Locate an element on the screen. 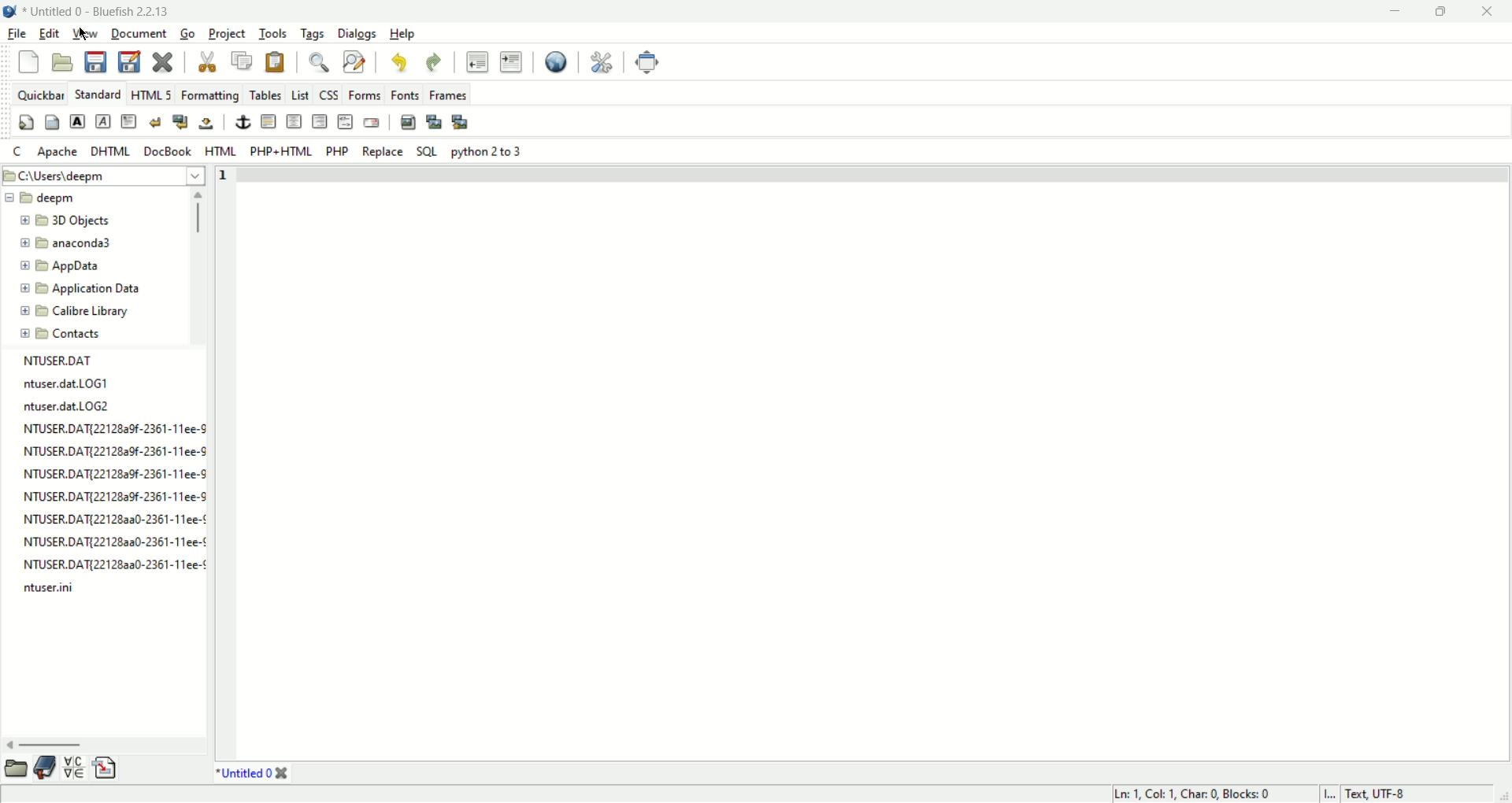 The height and width of the screenshot is (803, 1512). cursor is located at coordinates (81, 35).